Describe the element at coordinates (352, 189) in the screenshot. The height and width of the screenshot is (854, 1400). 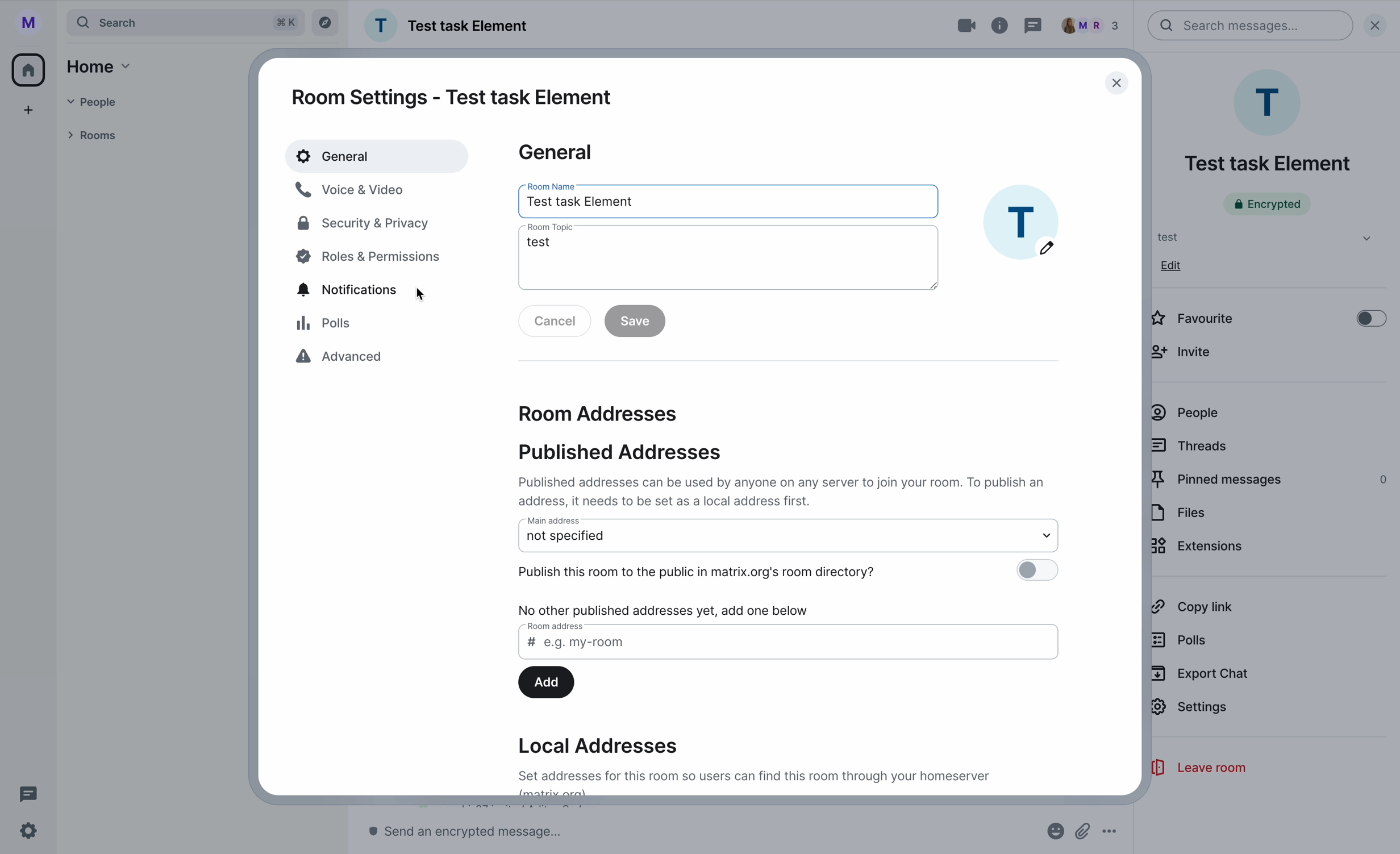
I see `voice & video` at that location.